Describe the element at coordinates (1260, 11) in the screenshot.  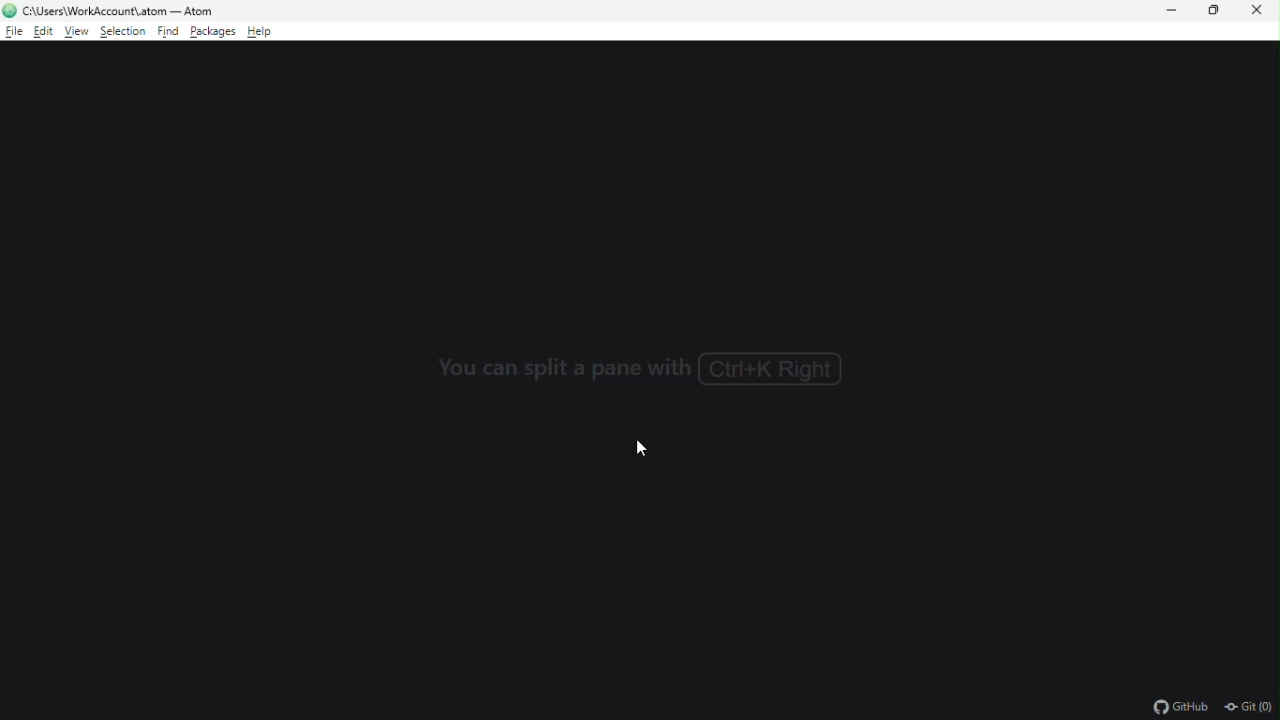
I see `close` at that location.